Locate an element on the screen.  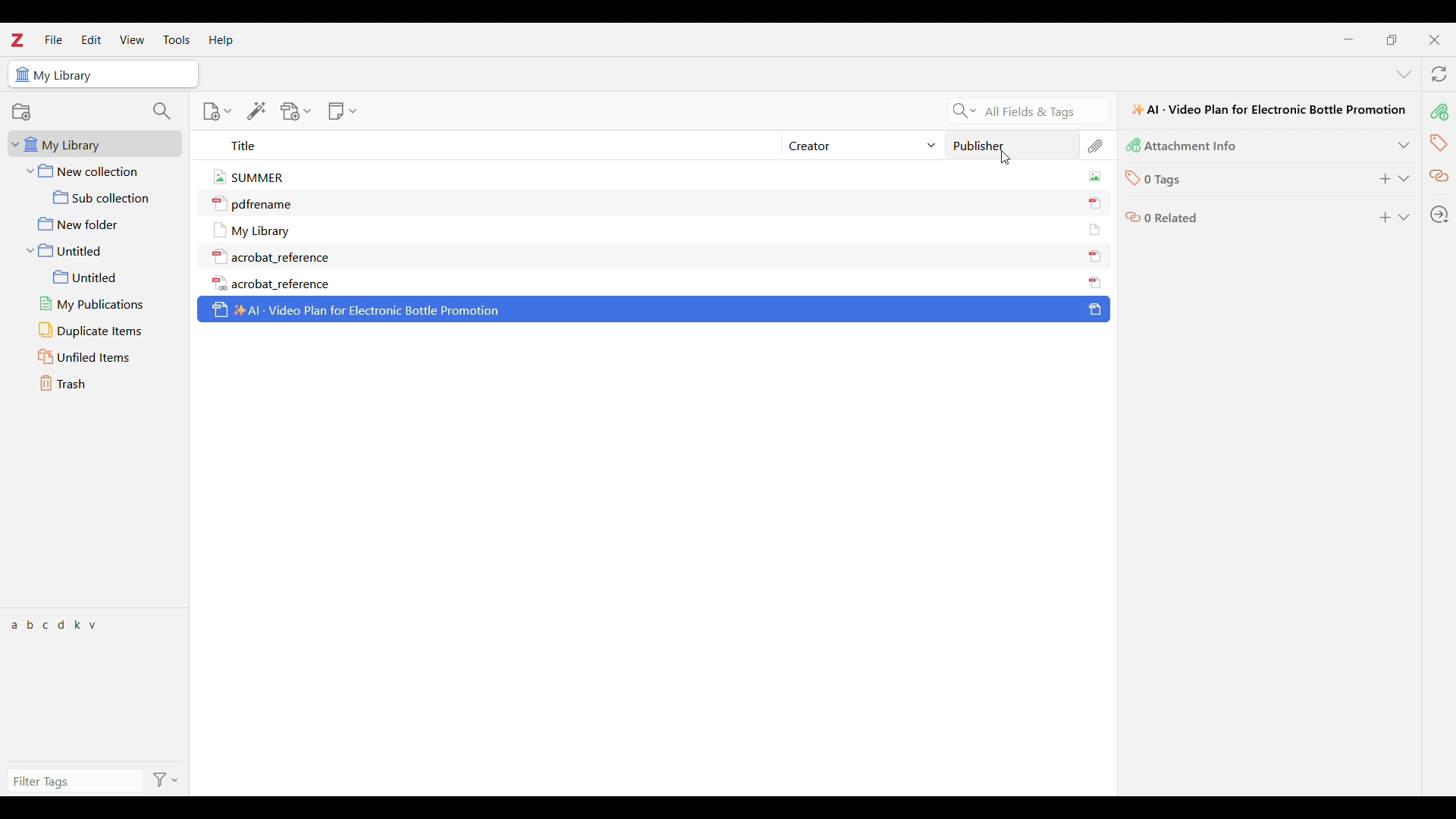
New item options is located at coordinates (217, 111).